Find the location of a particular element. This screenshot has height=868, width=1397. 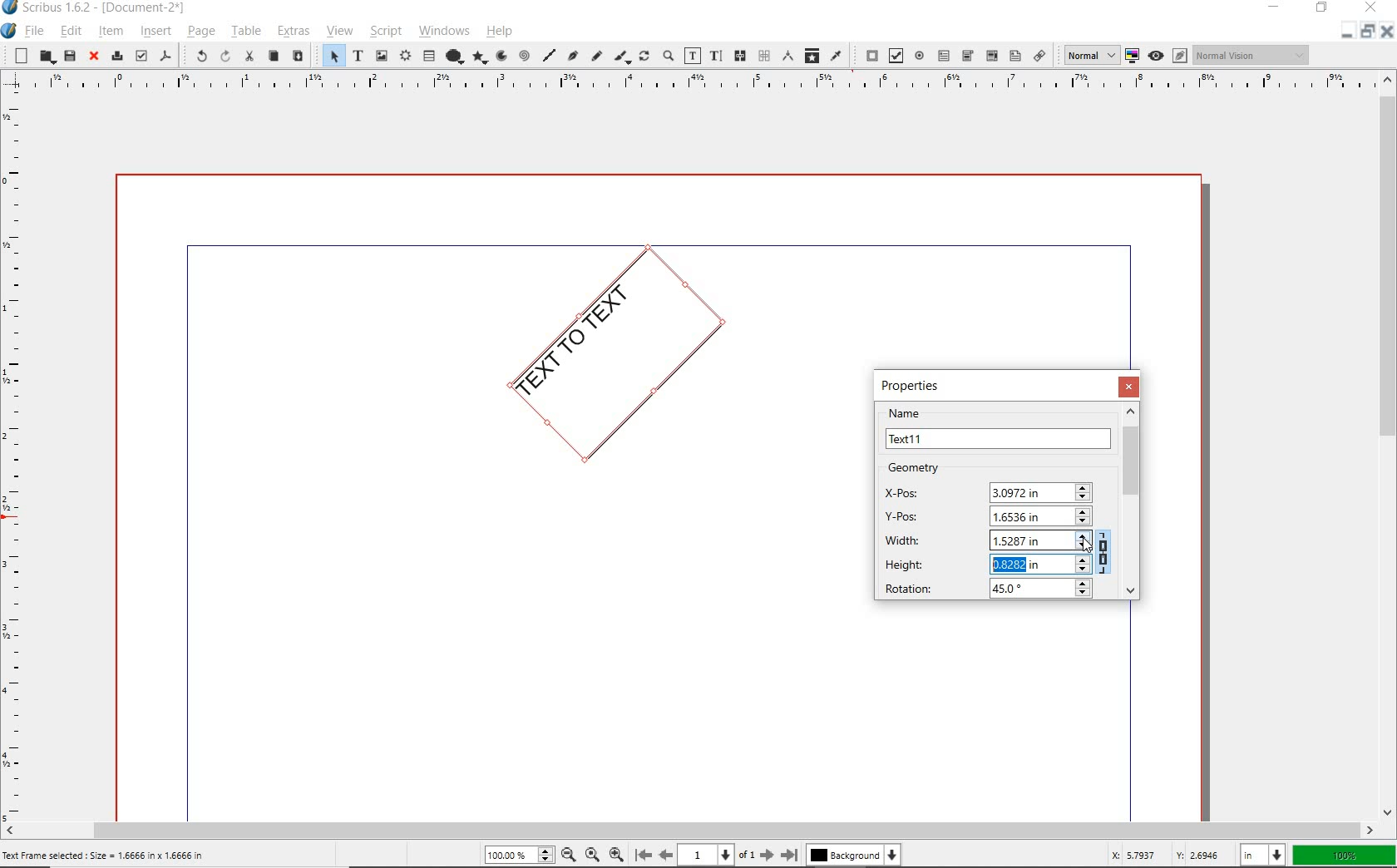

zoom factor is located at coordinates (1345, 856).